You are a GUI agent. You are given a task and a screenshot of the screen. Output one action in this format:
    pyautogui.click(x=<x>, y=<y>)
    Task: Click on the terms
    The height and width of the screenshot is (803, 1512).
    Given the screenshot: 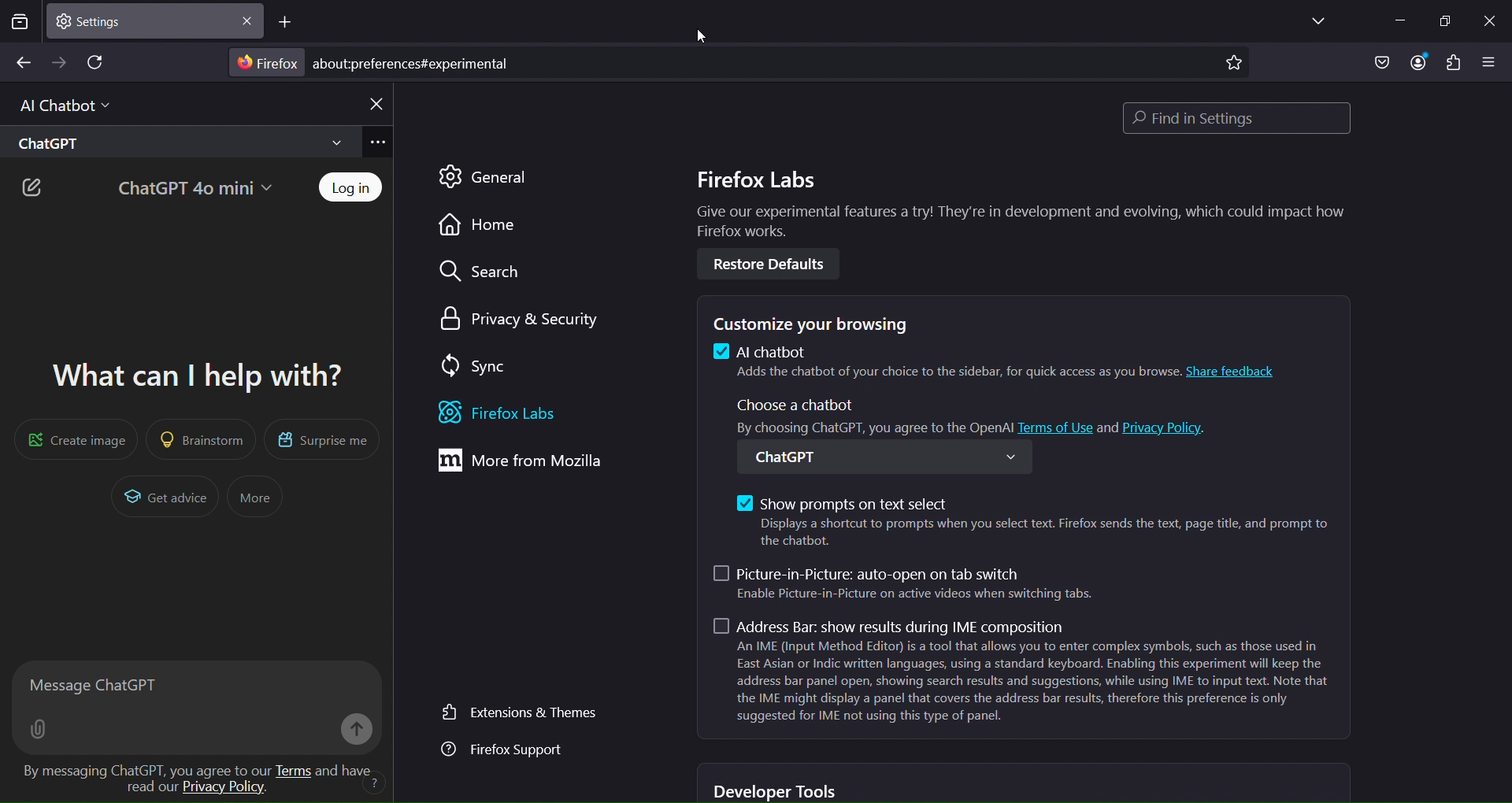 What is the action you would take?
    pyautogui.click(x=294, y=770)
    